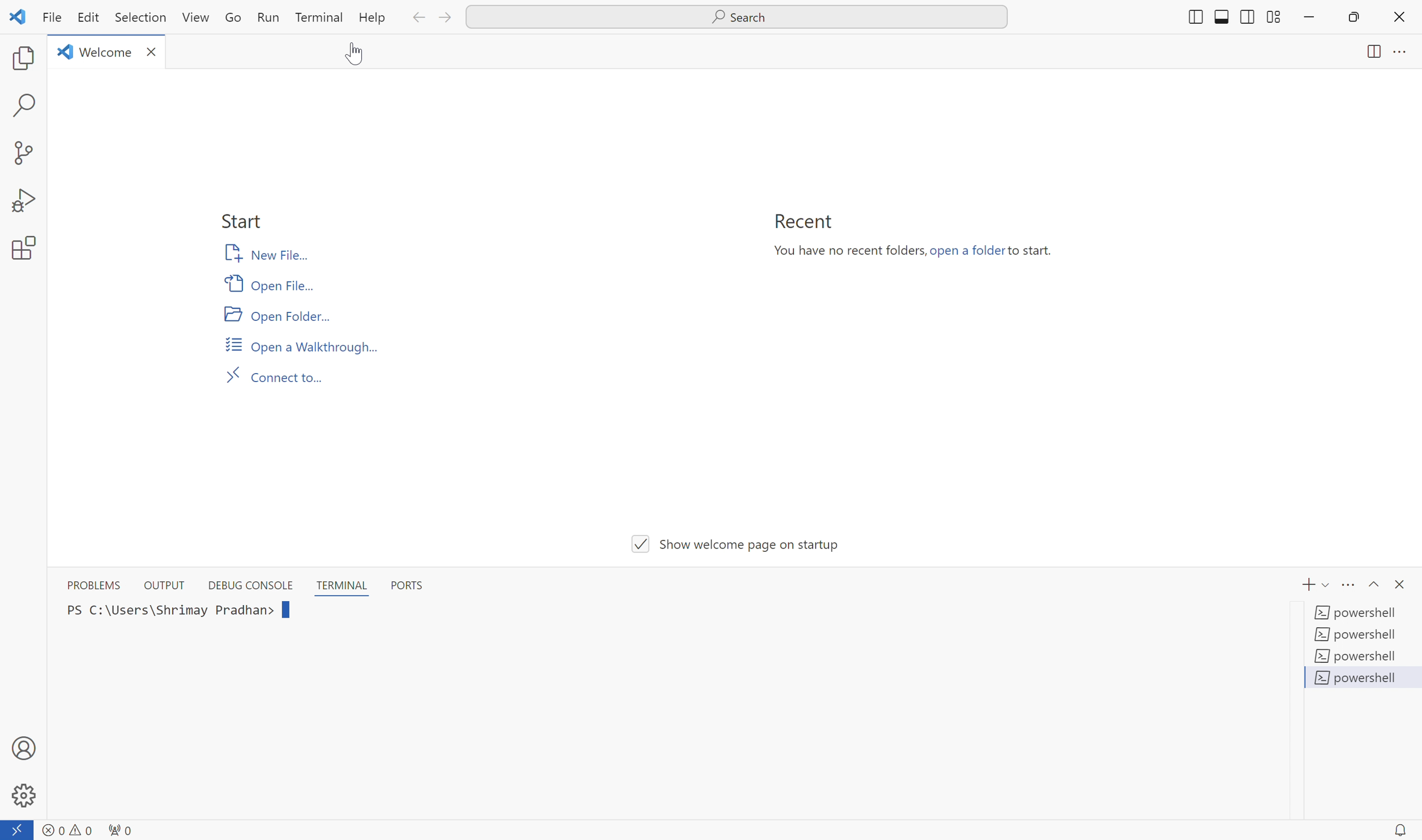  Describe the element at coordinates (23, 58) in the screenshot. I see `explorer` at that location.